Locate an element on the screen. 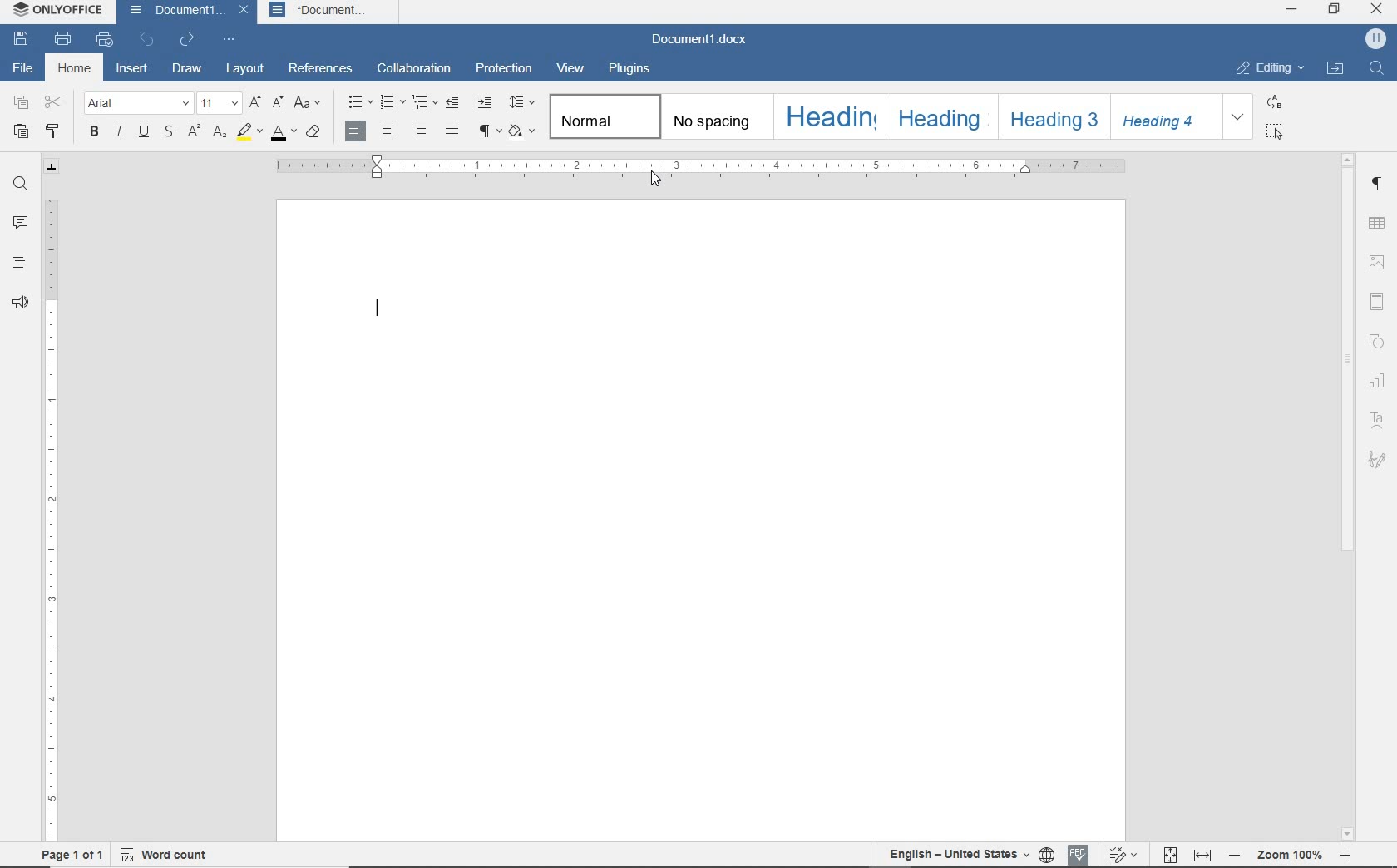  SET DOCUMENT LANGUAGE is located at coordinates (1045, 855).